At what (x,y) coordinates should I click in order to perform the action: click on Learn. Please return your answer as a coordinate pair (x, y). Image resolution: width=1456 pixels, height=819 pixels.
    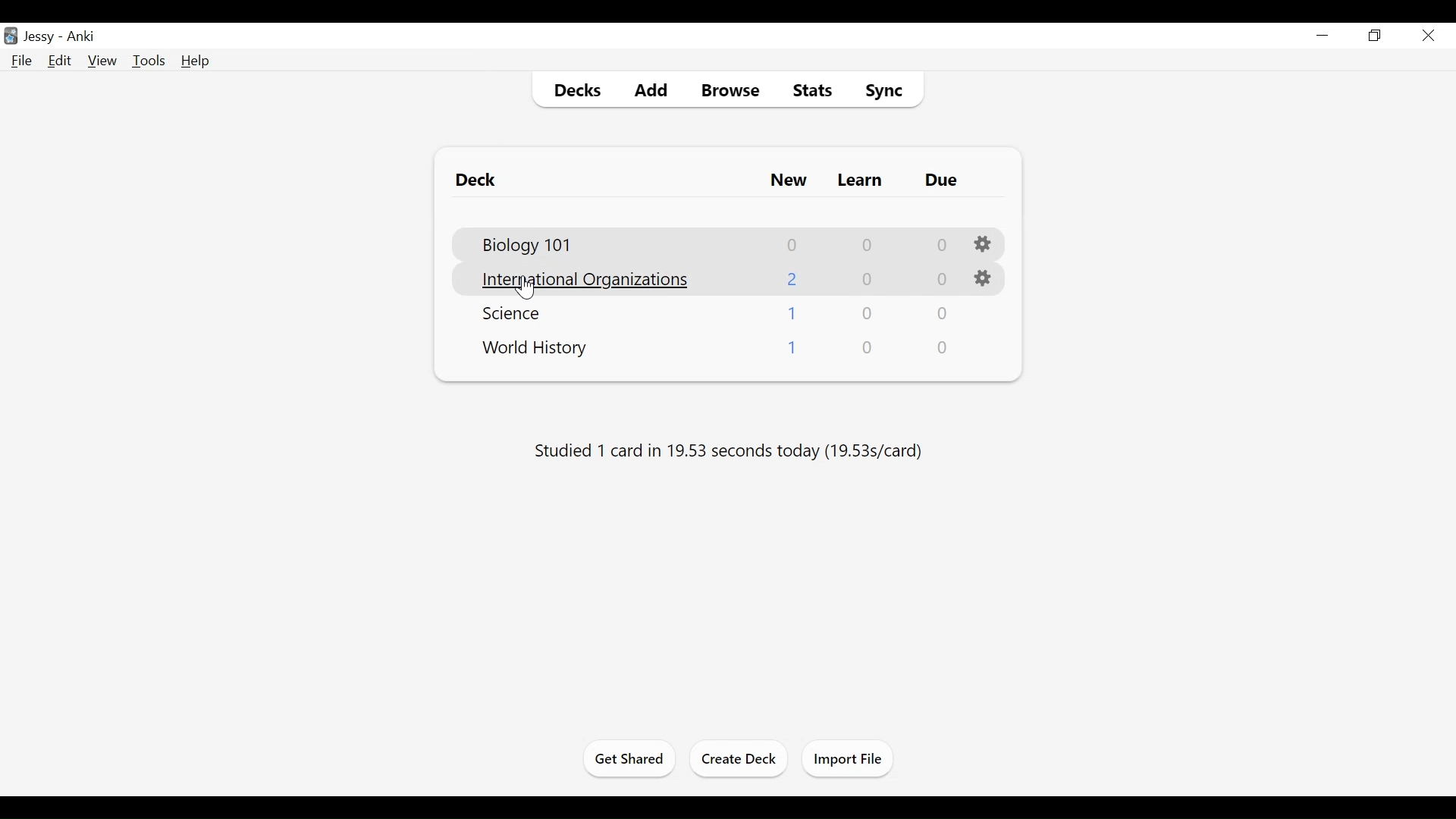
    Looking at the image, I should click on (861, 180).